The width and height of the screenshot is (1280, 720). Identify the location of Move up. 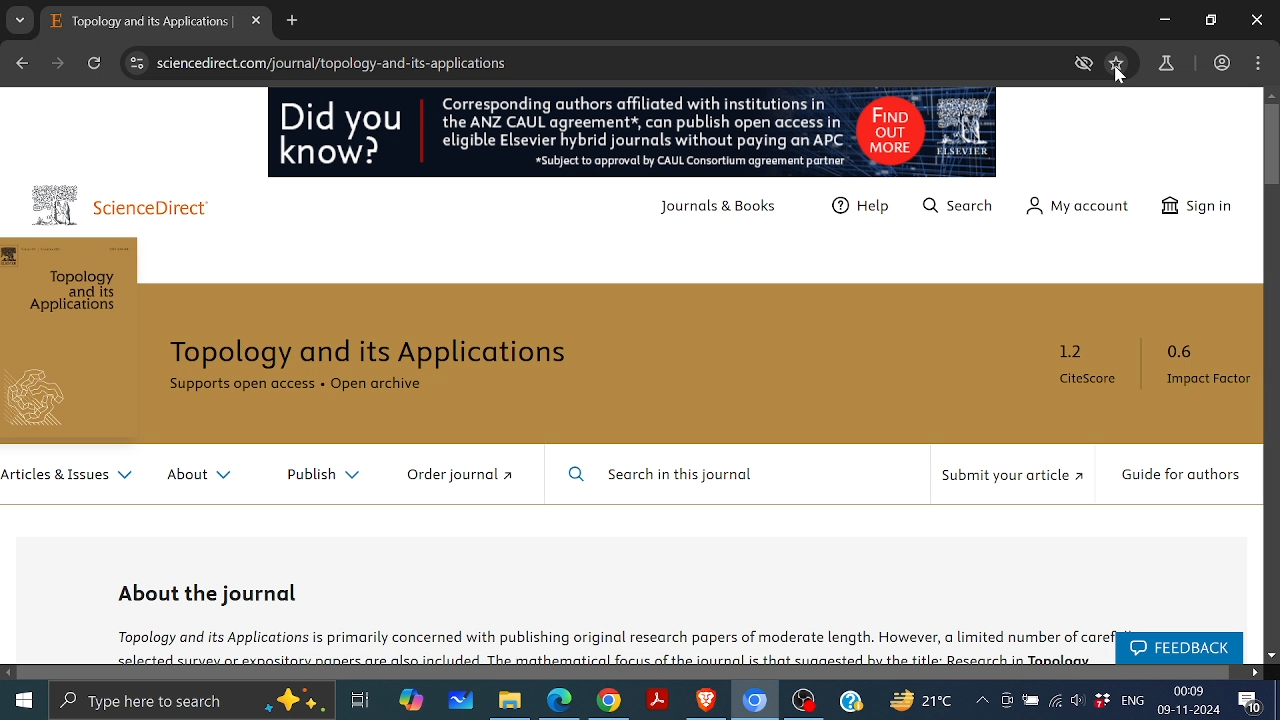
(1272, 96).